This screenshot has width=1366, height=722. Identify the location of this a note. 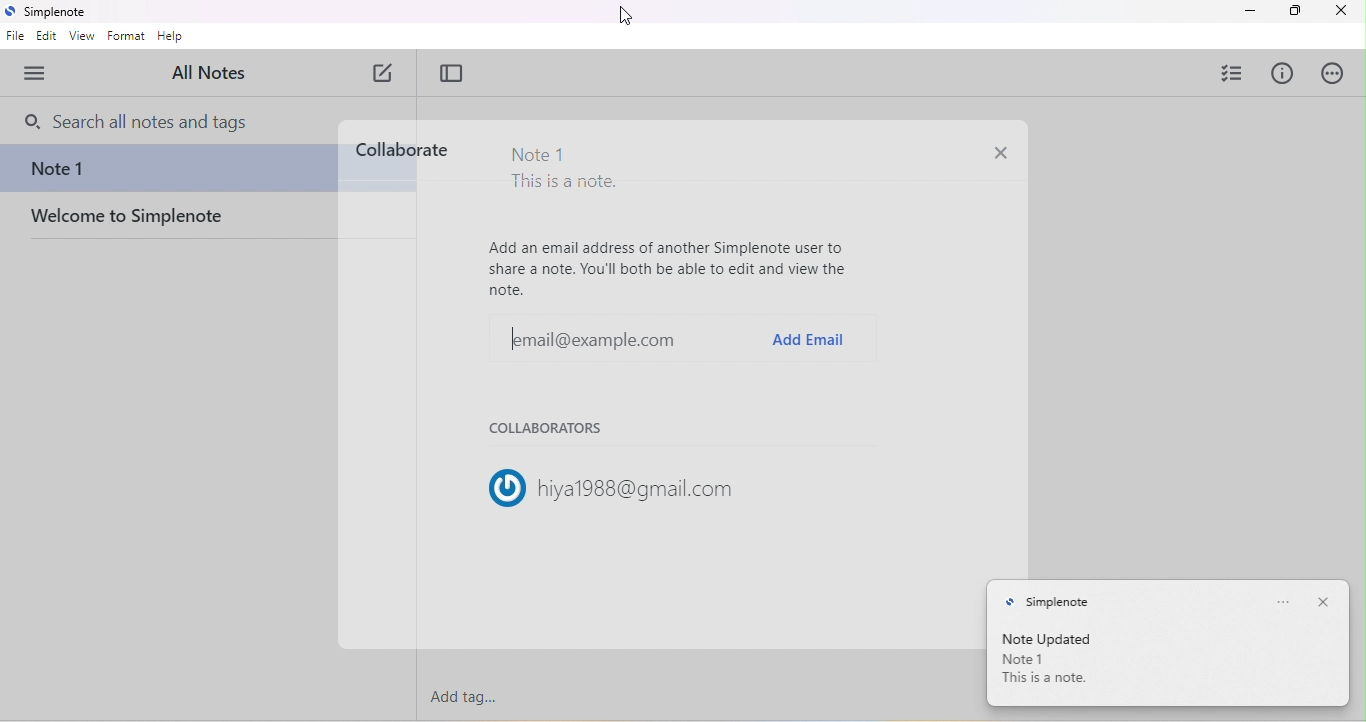
(1049, 678).